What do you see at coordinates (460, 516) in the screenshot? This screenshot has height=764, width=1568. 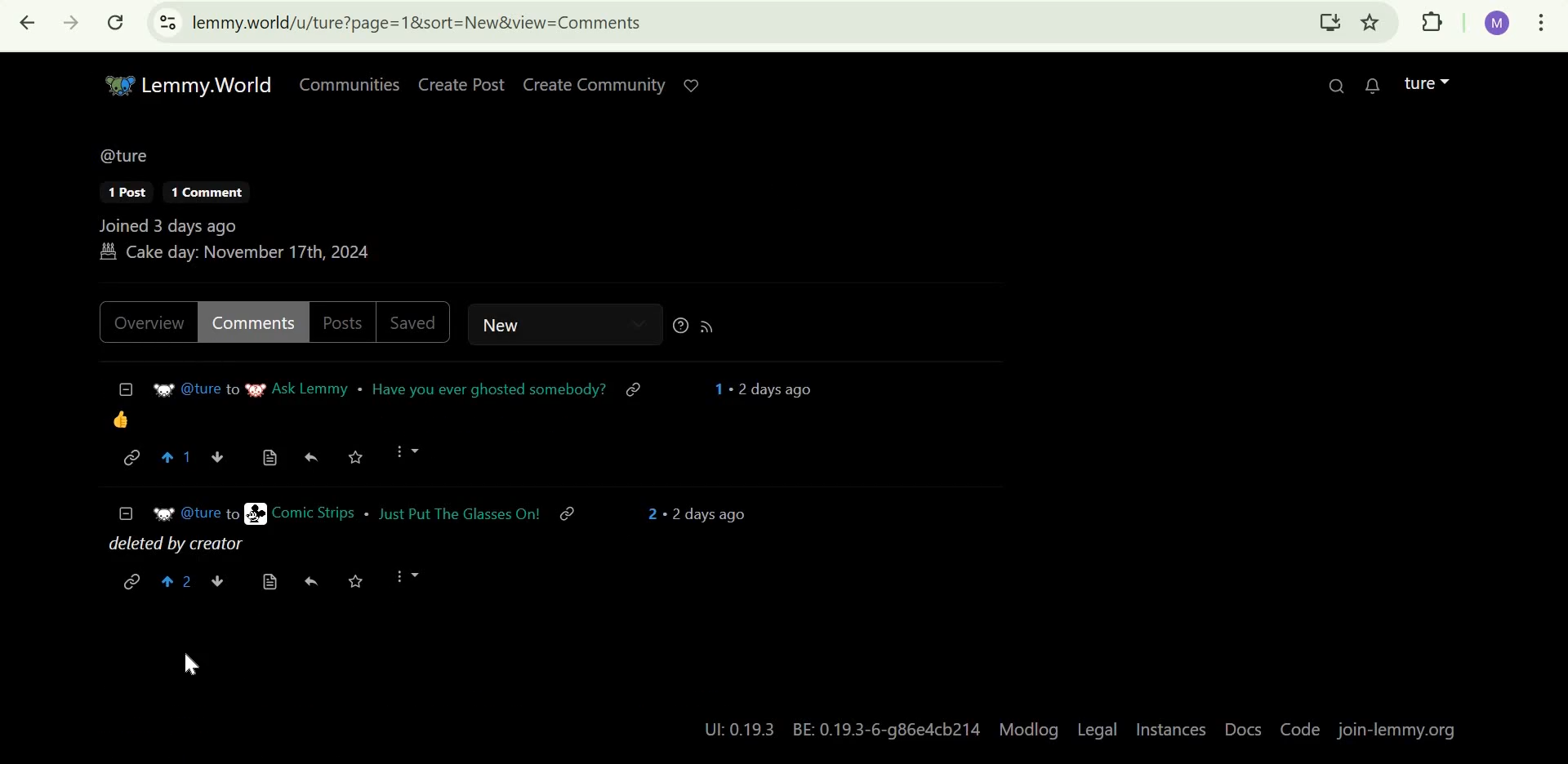 I see `post headline` at bounding box center [460, 516].